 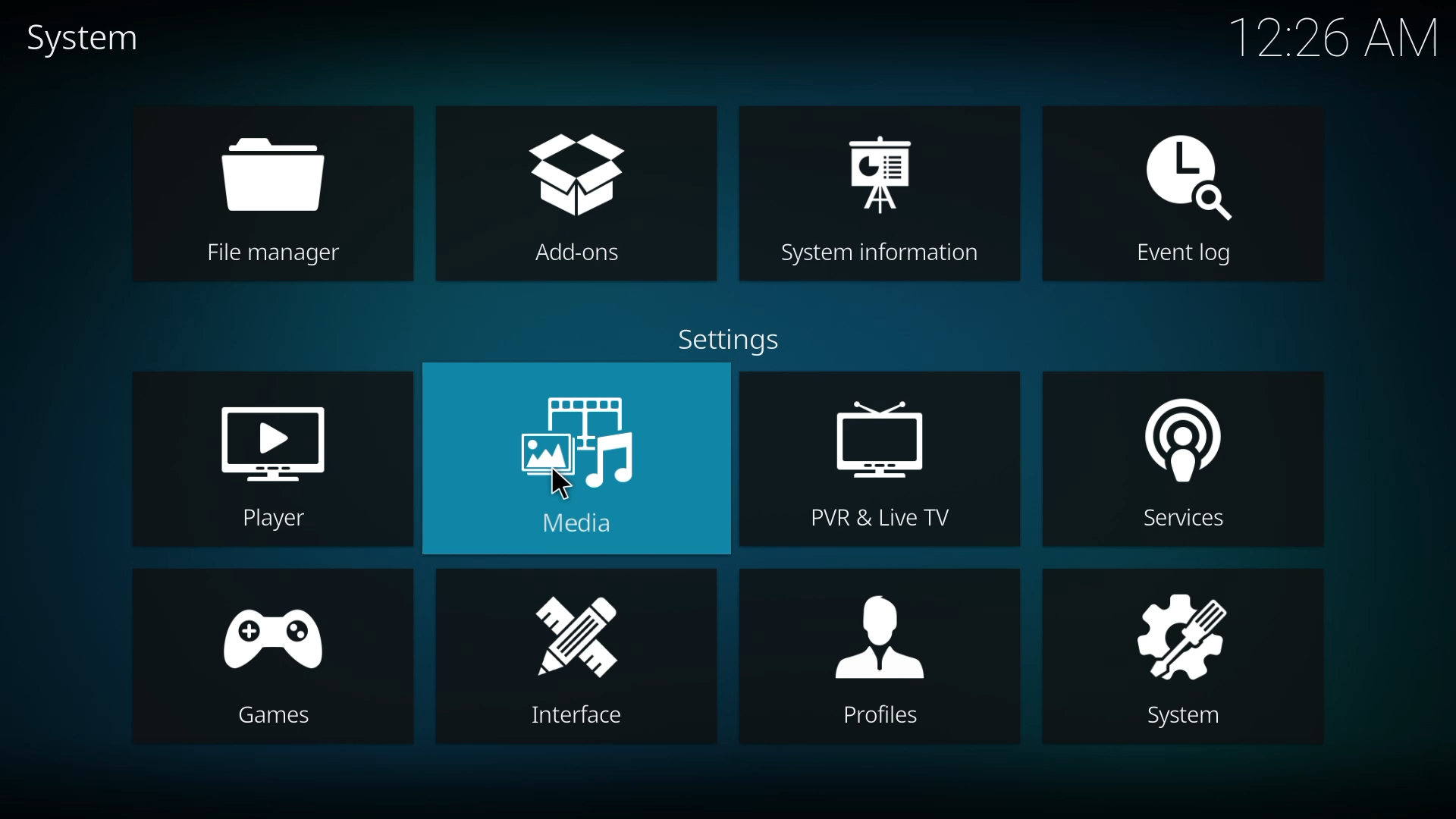 What do you see at coordinates (273, 661) in the screenshot?
I see `games` at bounding box center [273, 661].